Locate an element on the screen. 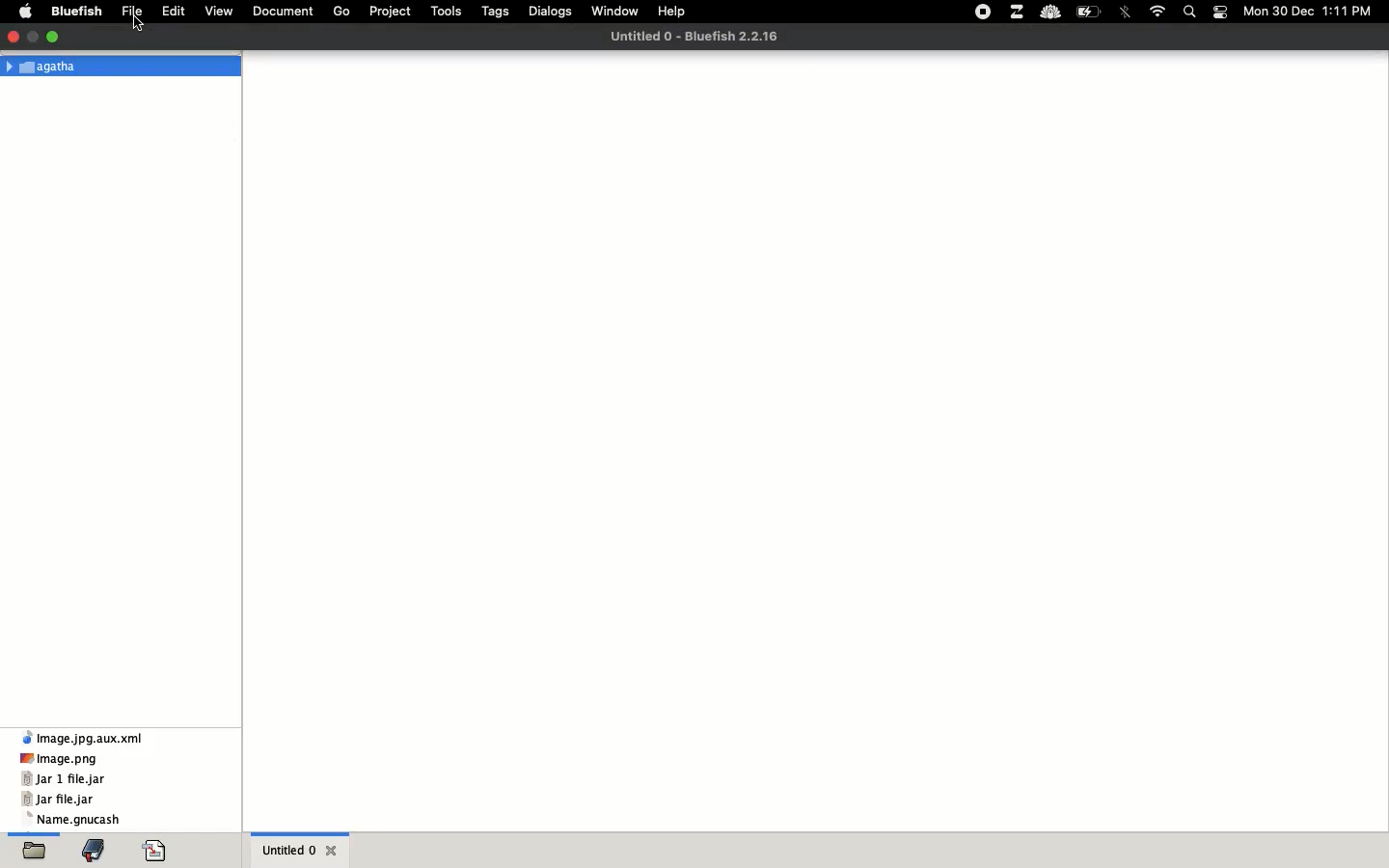  Mon 30 Dec 1:11 PM is located at coordinates (1309, 10).